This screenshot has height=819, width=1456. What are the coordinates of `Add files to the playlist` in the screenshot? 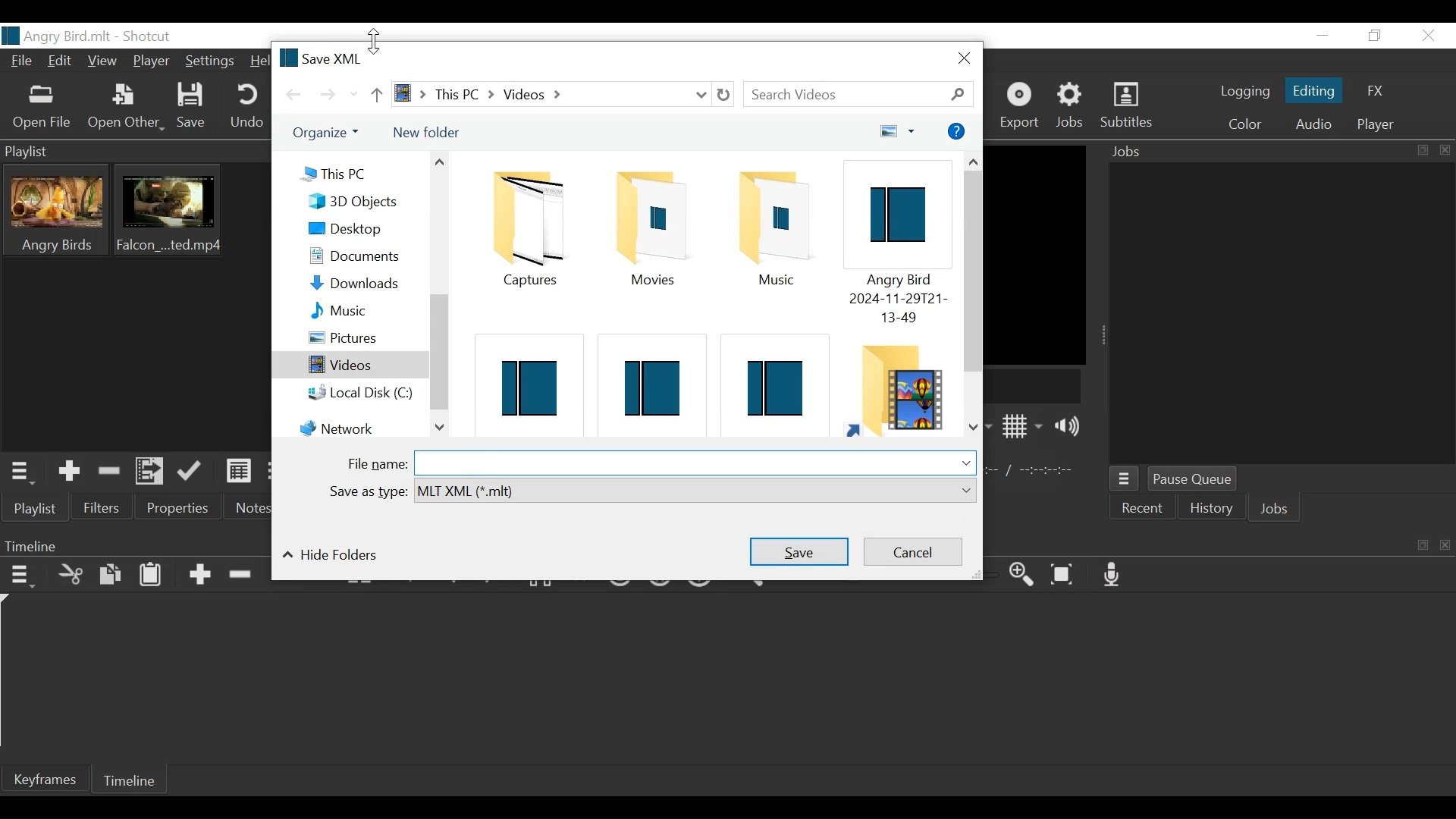 It's located at (151, 472).